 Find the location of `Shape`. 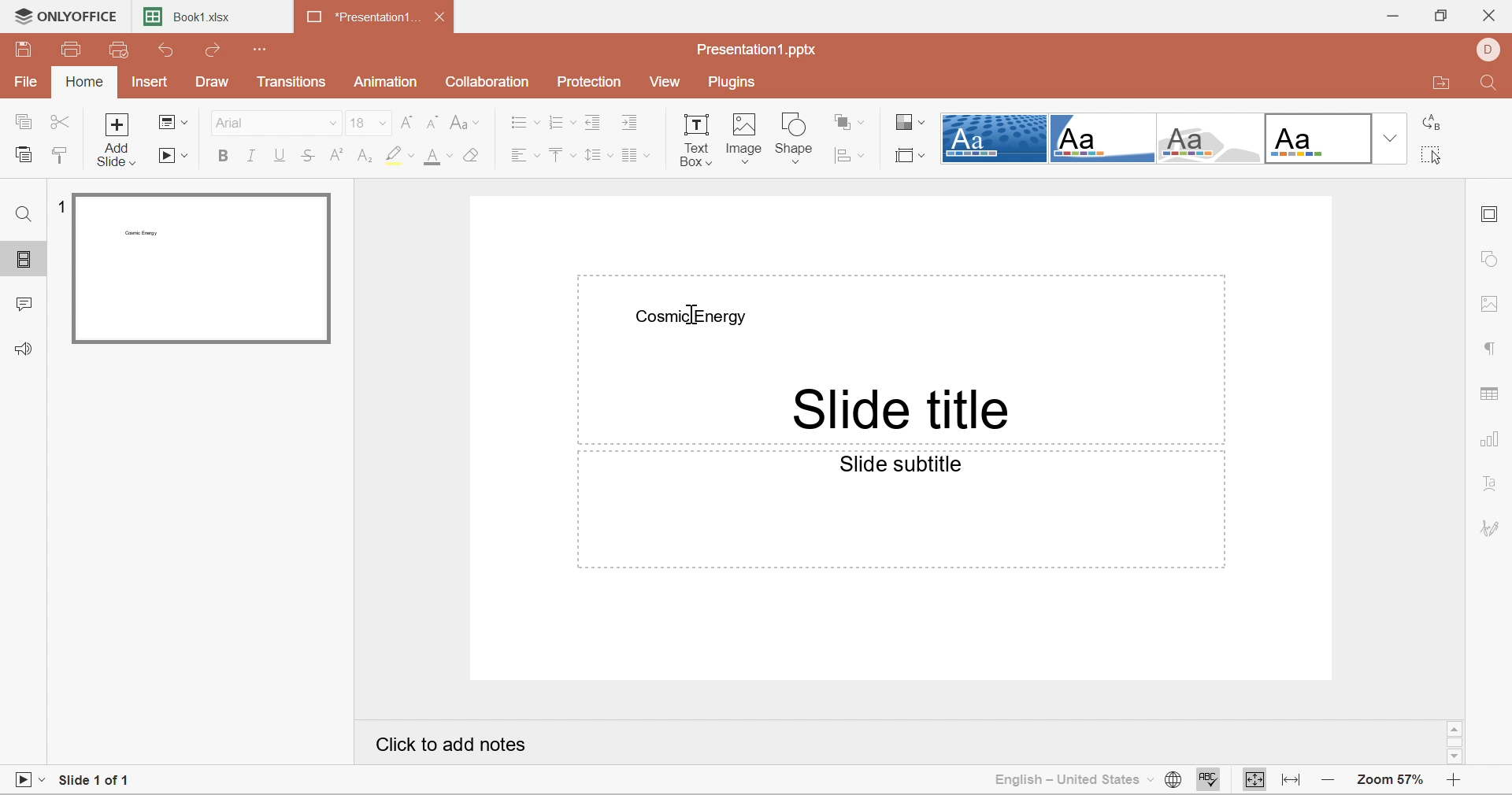

Shape is located at coordinates (795, 137).